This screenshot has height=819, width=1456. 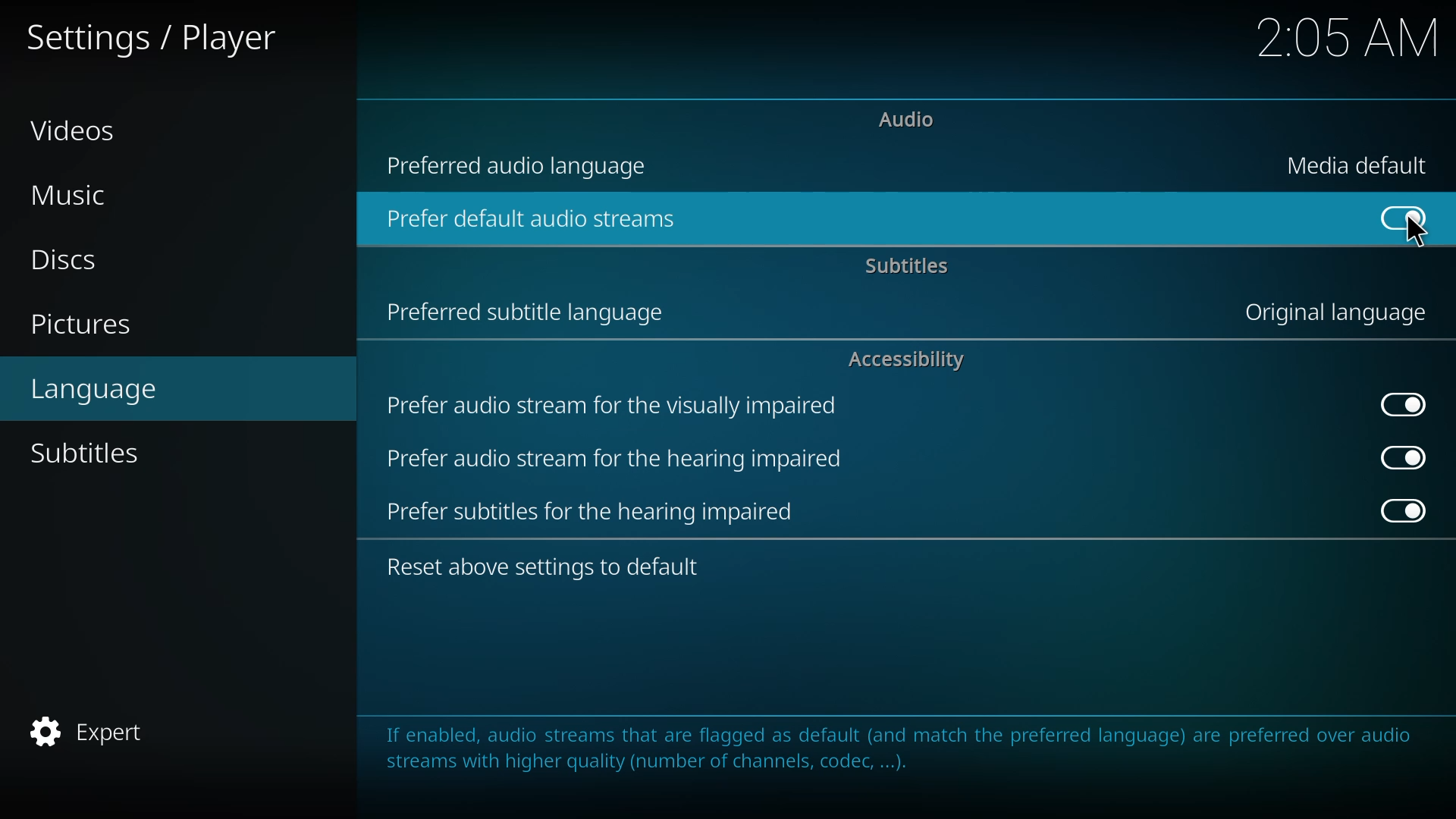 What do you see at coordinates (590, 510) in the screenshot?
I see `prefer subtitles for hearing impaired` at bounding box center [590, 510].